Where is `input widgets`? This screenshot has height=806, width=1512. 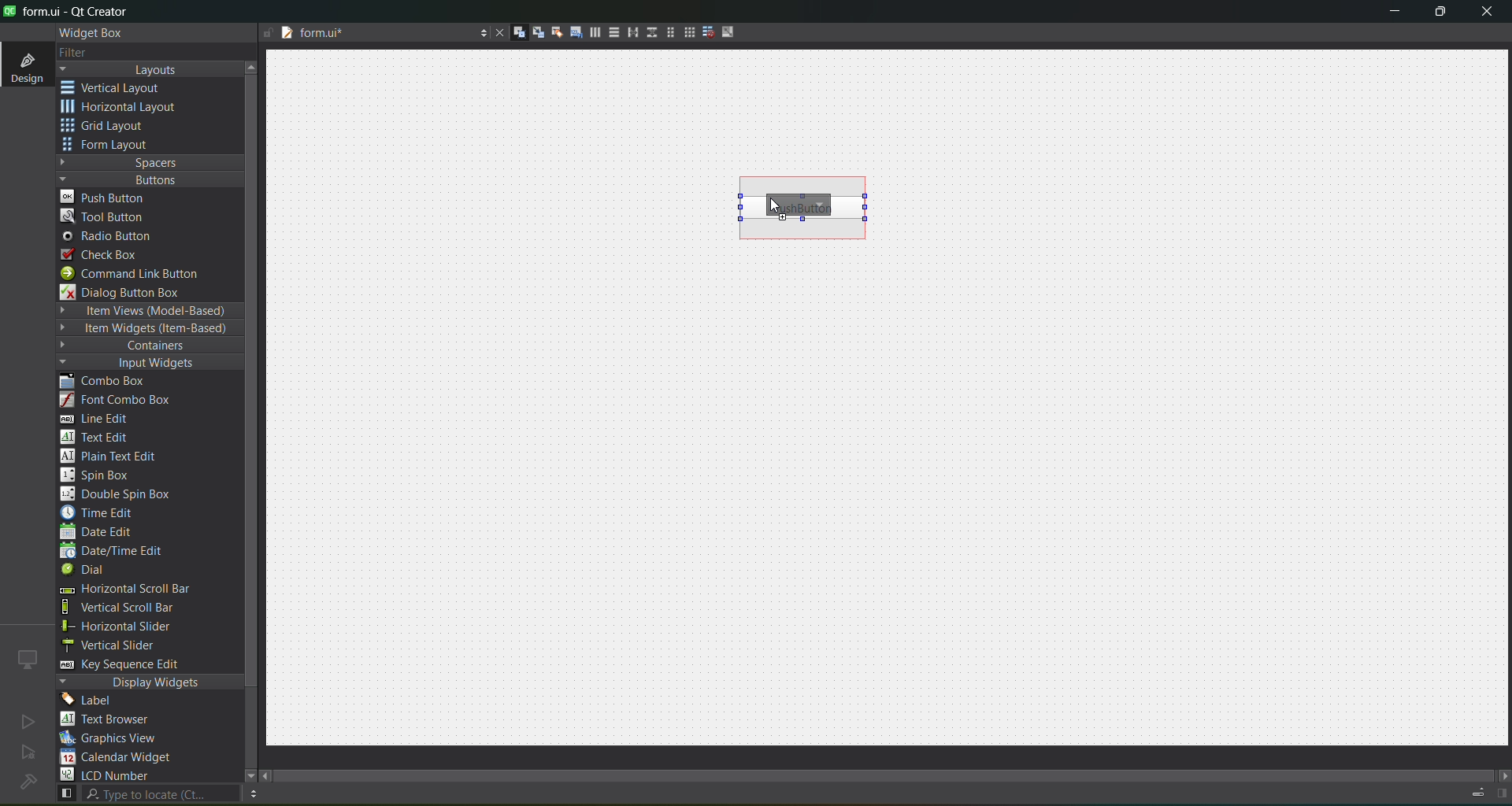
input widgets is located at coordinates (142, 364).